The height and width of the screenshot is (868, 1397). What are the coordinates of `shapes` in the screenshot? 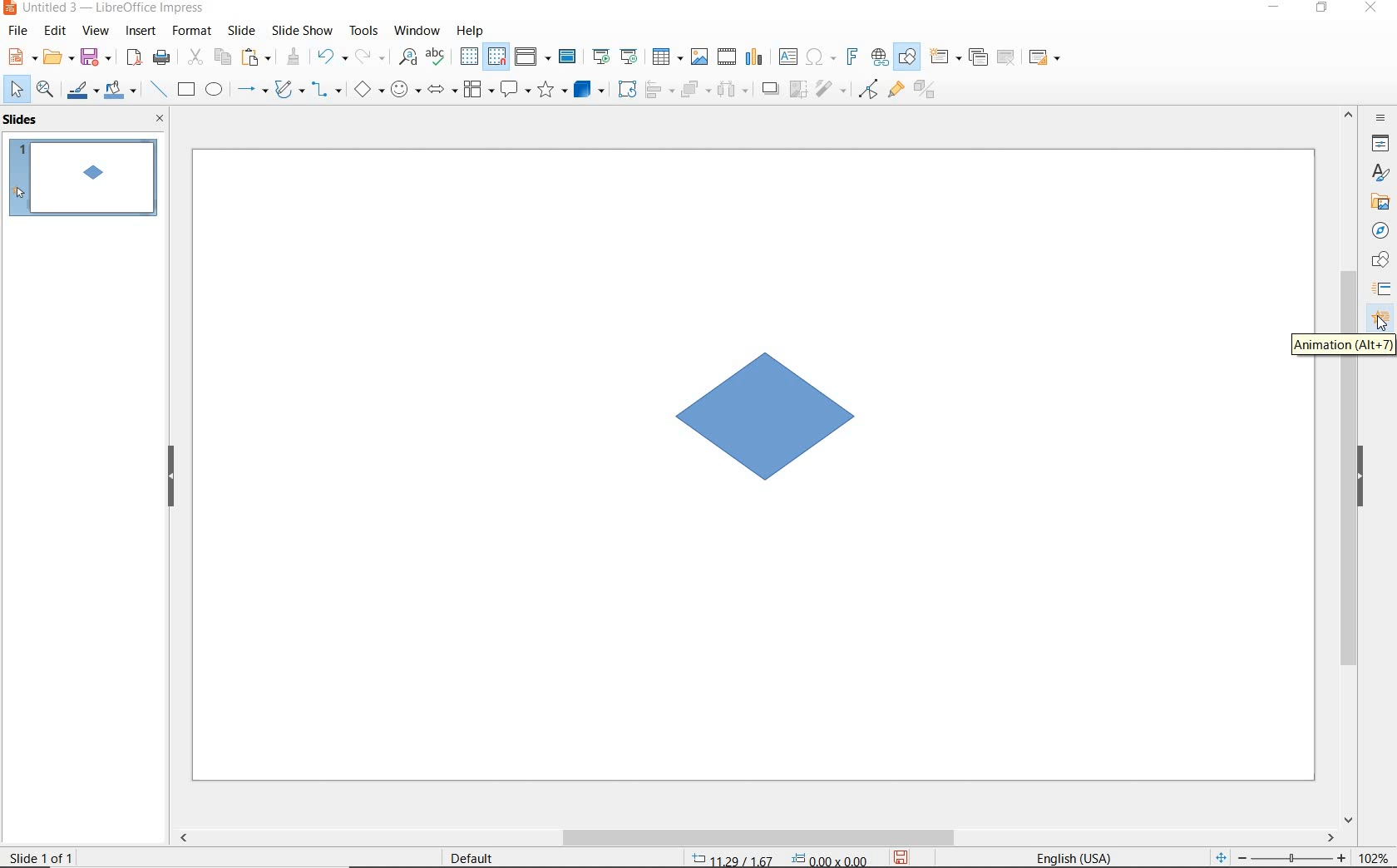 It's located at (1378, 259).